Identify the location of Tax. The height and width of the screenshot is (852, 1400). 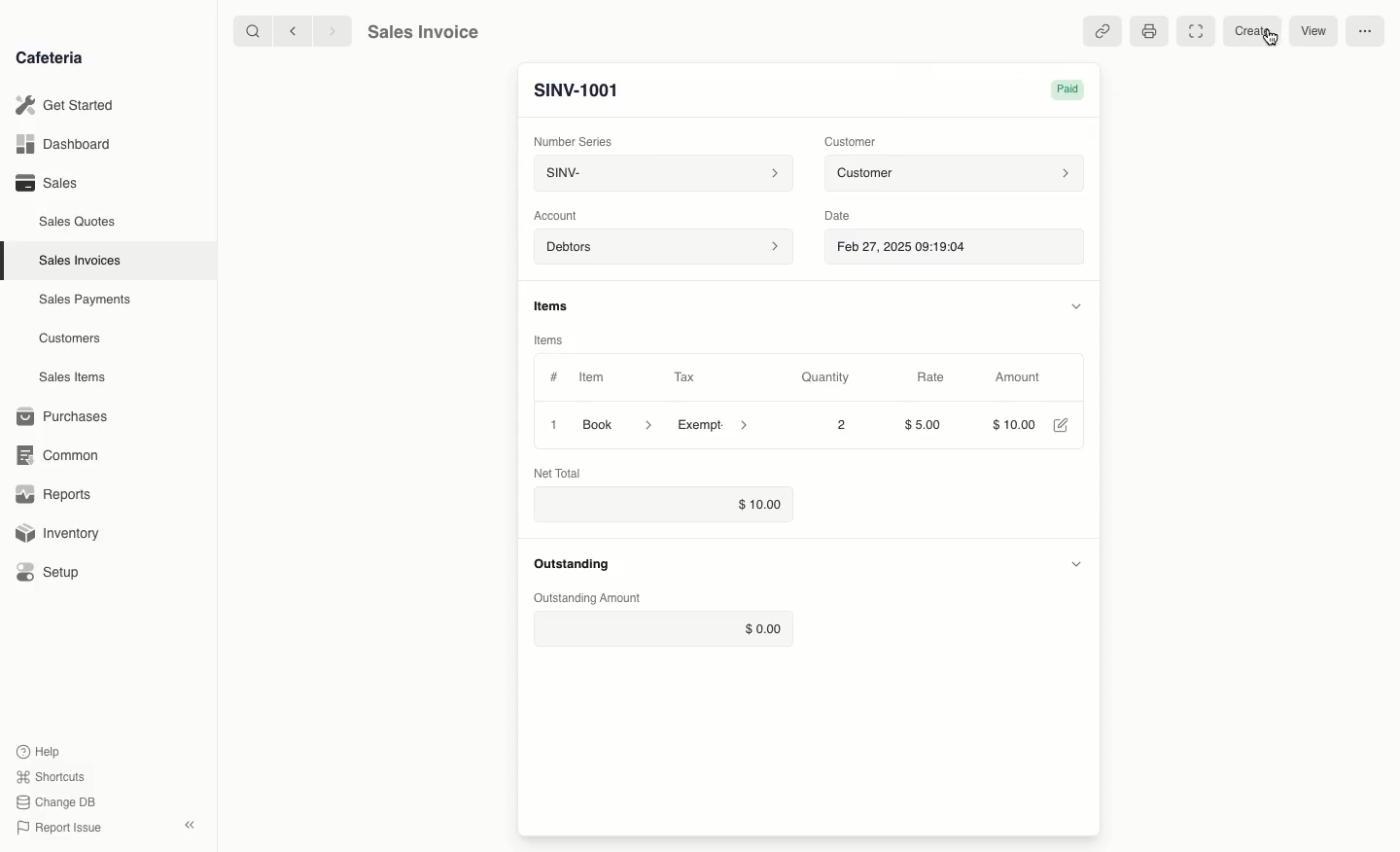
(684, 377).